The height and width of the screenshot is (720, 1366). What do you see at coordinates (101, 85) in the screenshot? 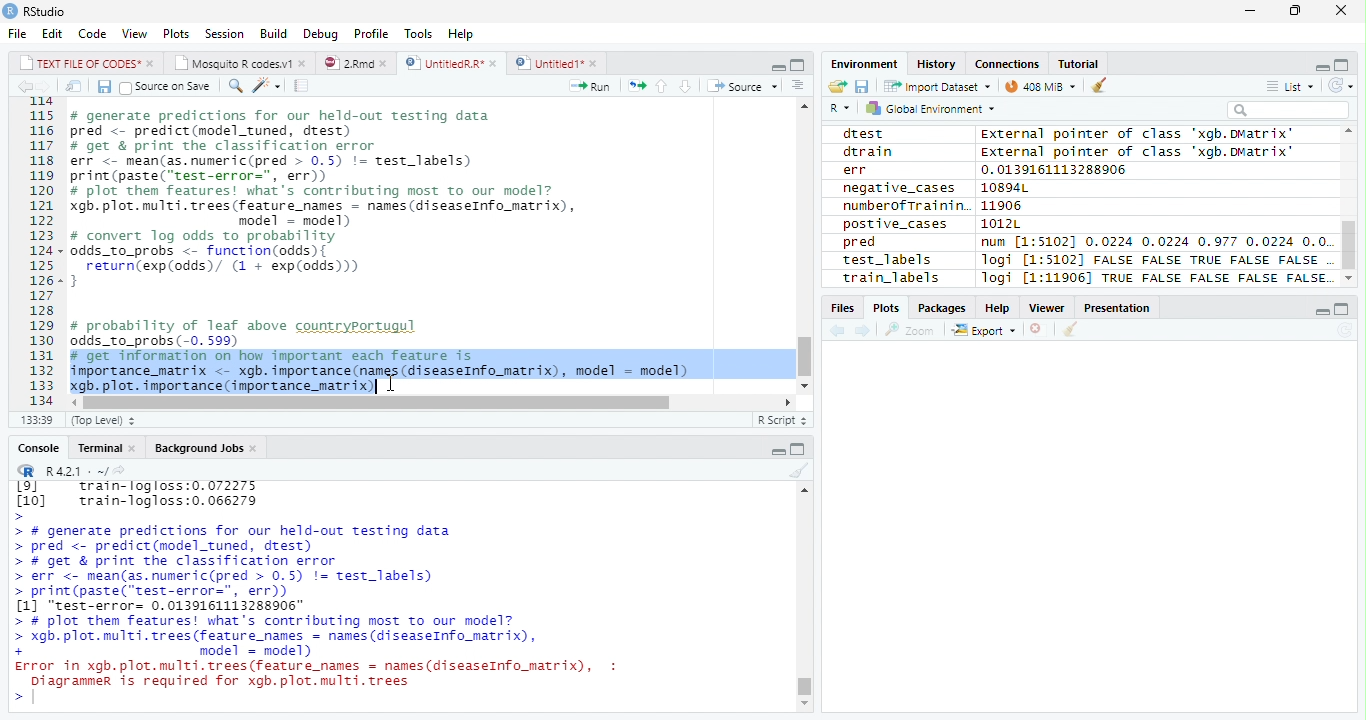
I see `Save` at bounding box center [101, 85].